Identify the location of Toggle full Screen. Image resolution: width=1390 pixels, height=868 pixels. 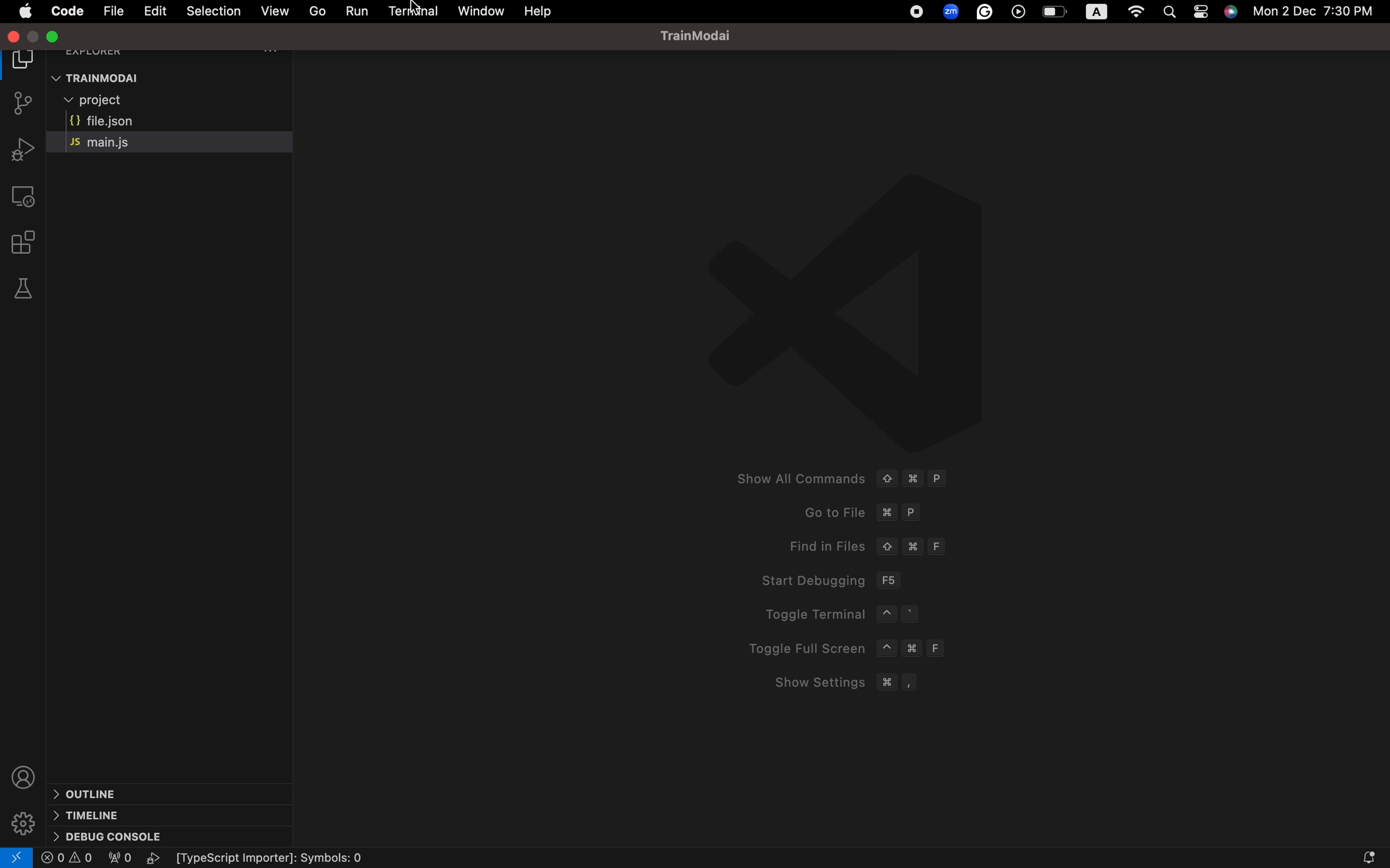
(851, 648).